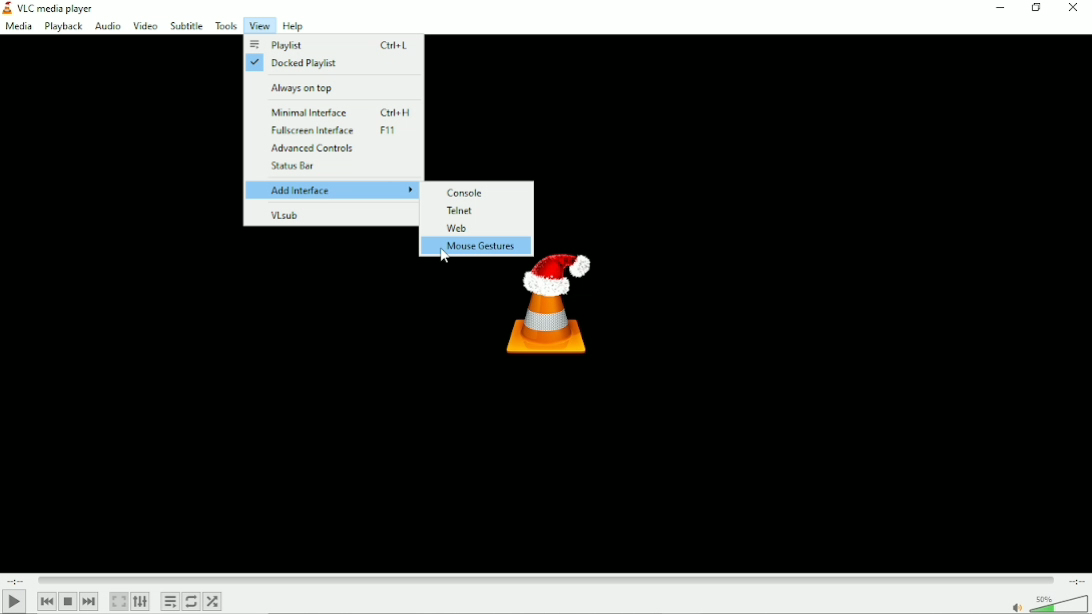 The image size is (1092, 614). What do you see at coordinates (69, 602) in the screenshot?
I see `Stop playback` at bounding box center [69, 602].